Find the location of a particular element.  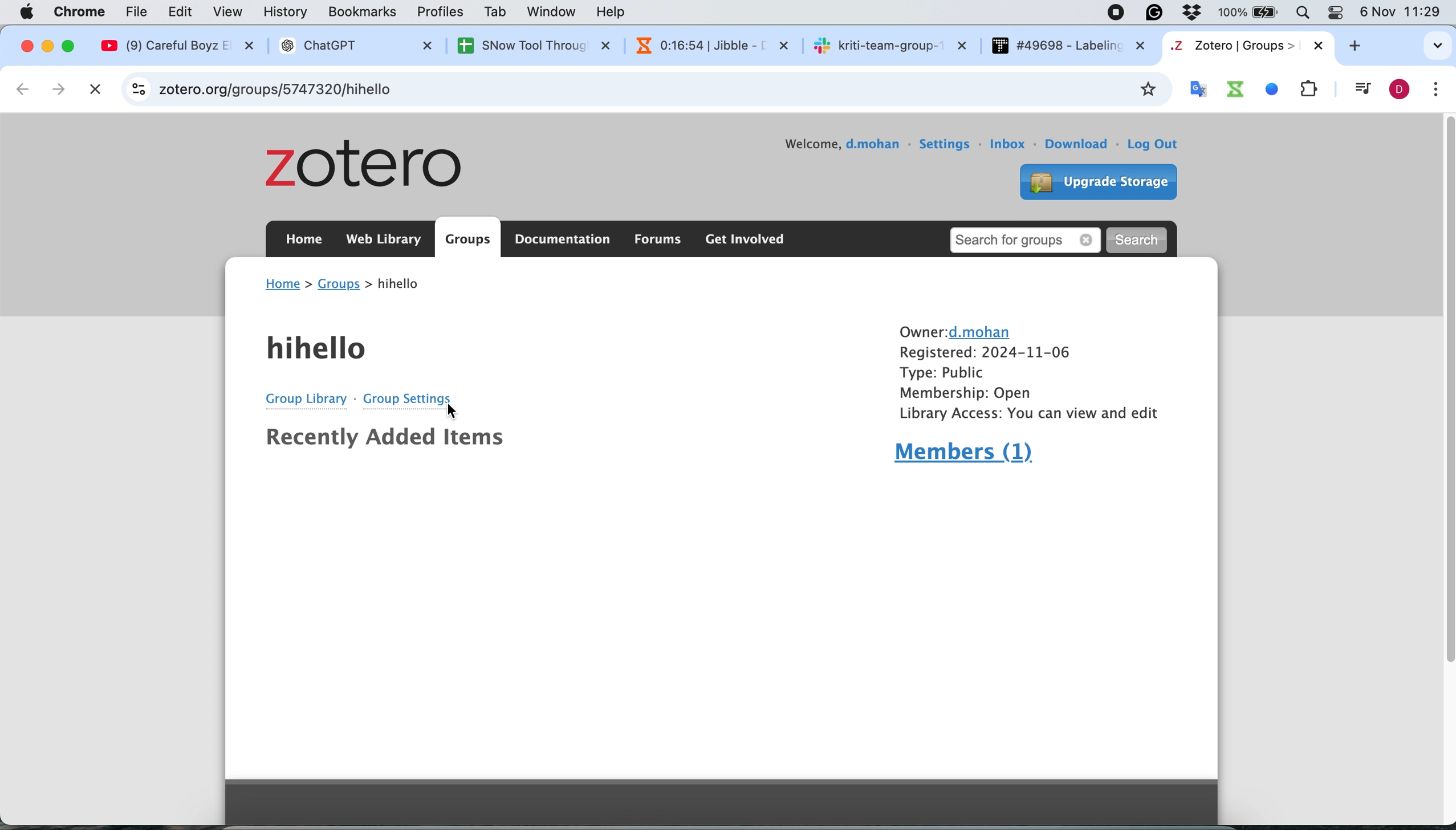

minimise is located at coordinates (48, 47).